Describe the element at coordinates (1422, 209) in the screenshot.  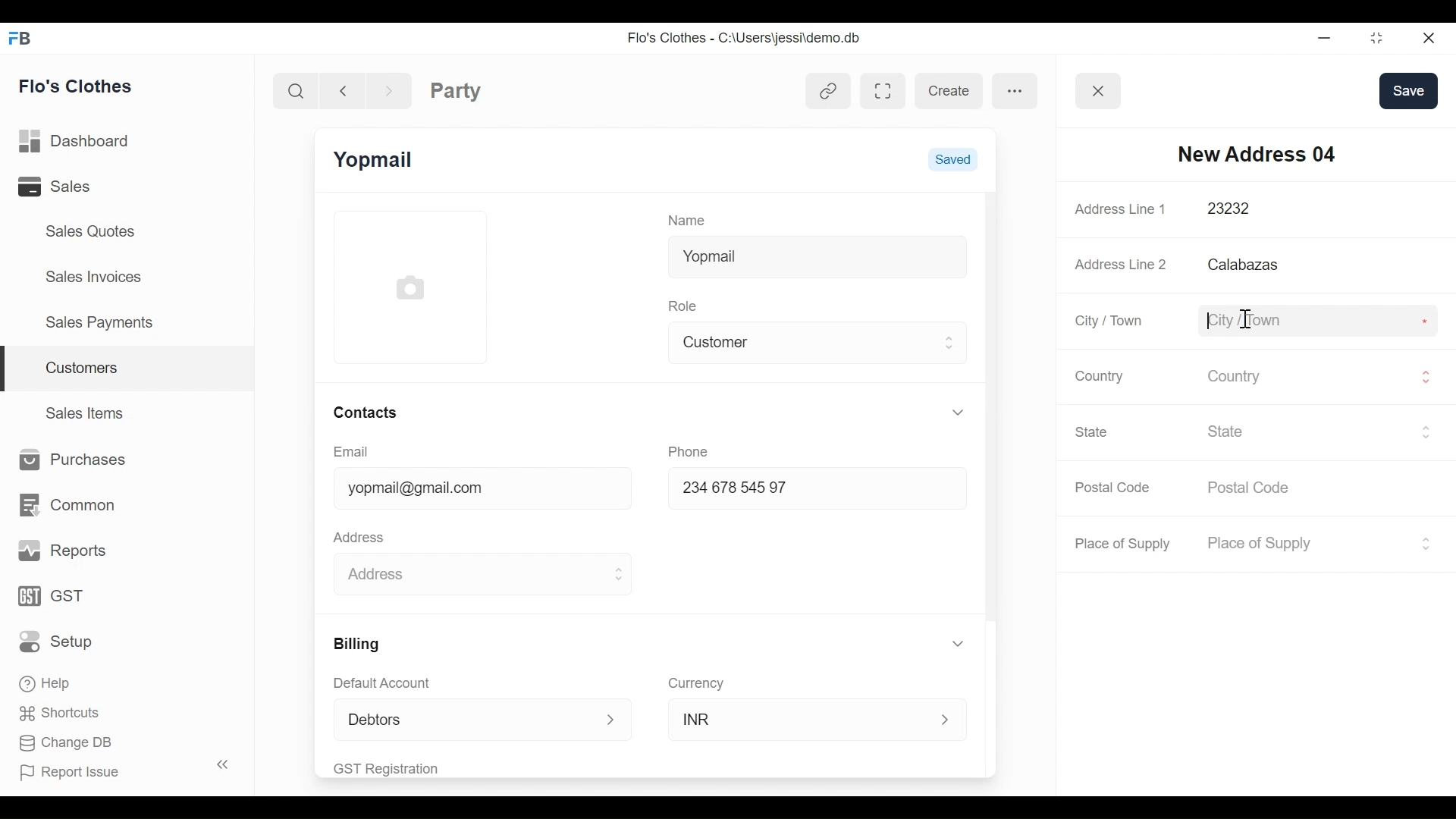
I see `Asterisk` at that location.